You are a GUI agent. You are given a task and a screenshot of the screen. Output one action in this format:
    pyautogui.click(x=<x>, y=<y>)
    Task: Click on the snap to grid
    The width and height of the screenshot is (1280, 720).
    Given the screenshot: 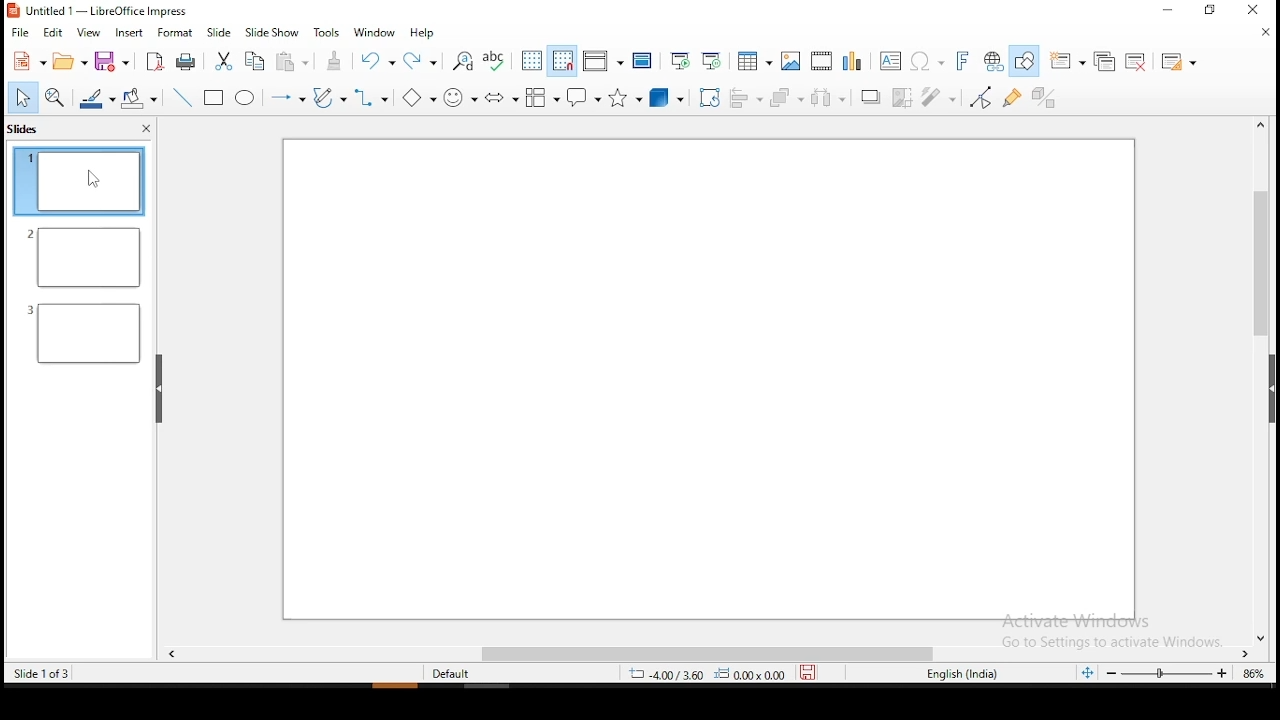 What is the action you would take?
    pyautogui.click(x=564, y=62)
    